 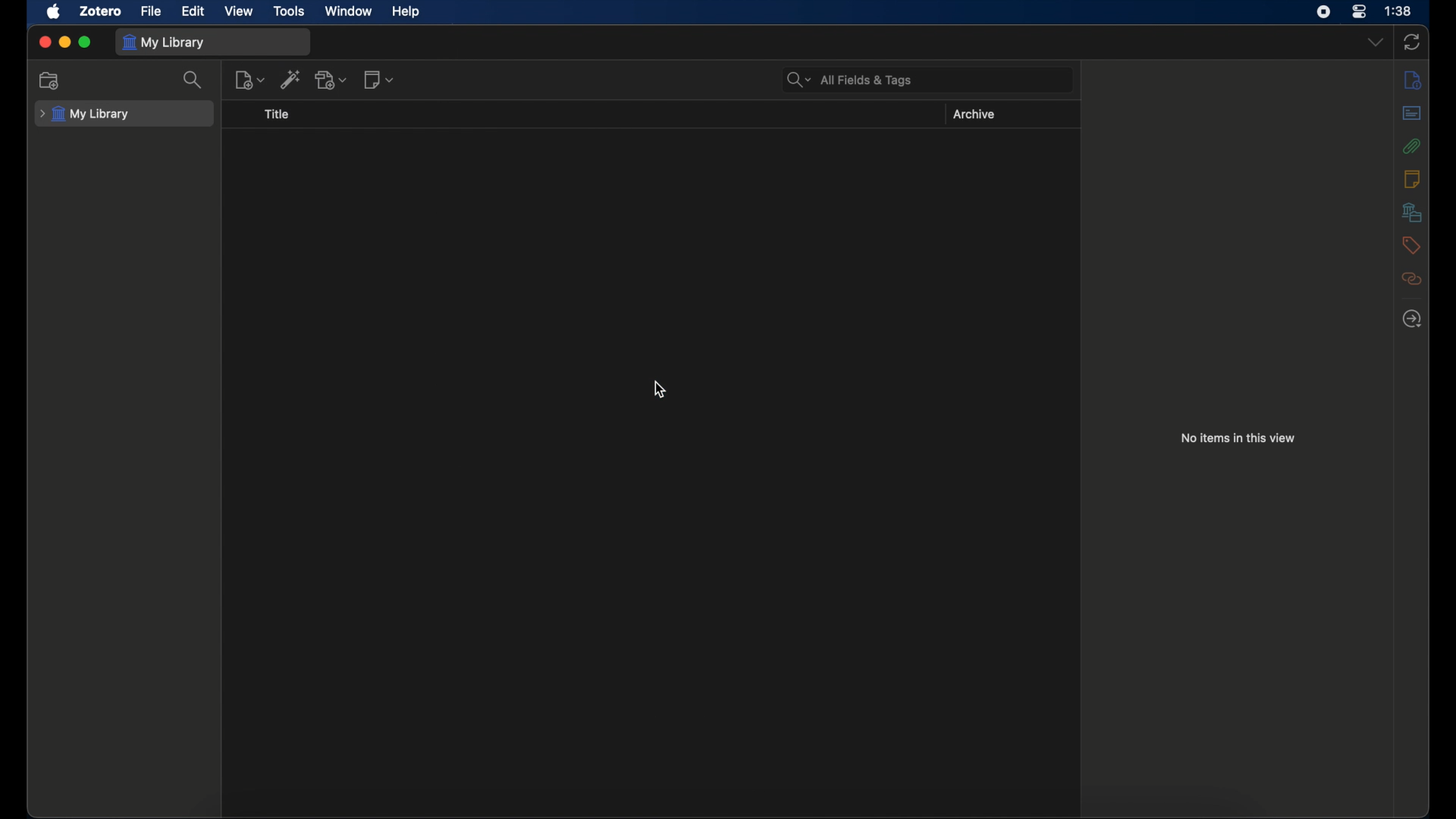 I want to click on sync, so click(x=1411, y=42).